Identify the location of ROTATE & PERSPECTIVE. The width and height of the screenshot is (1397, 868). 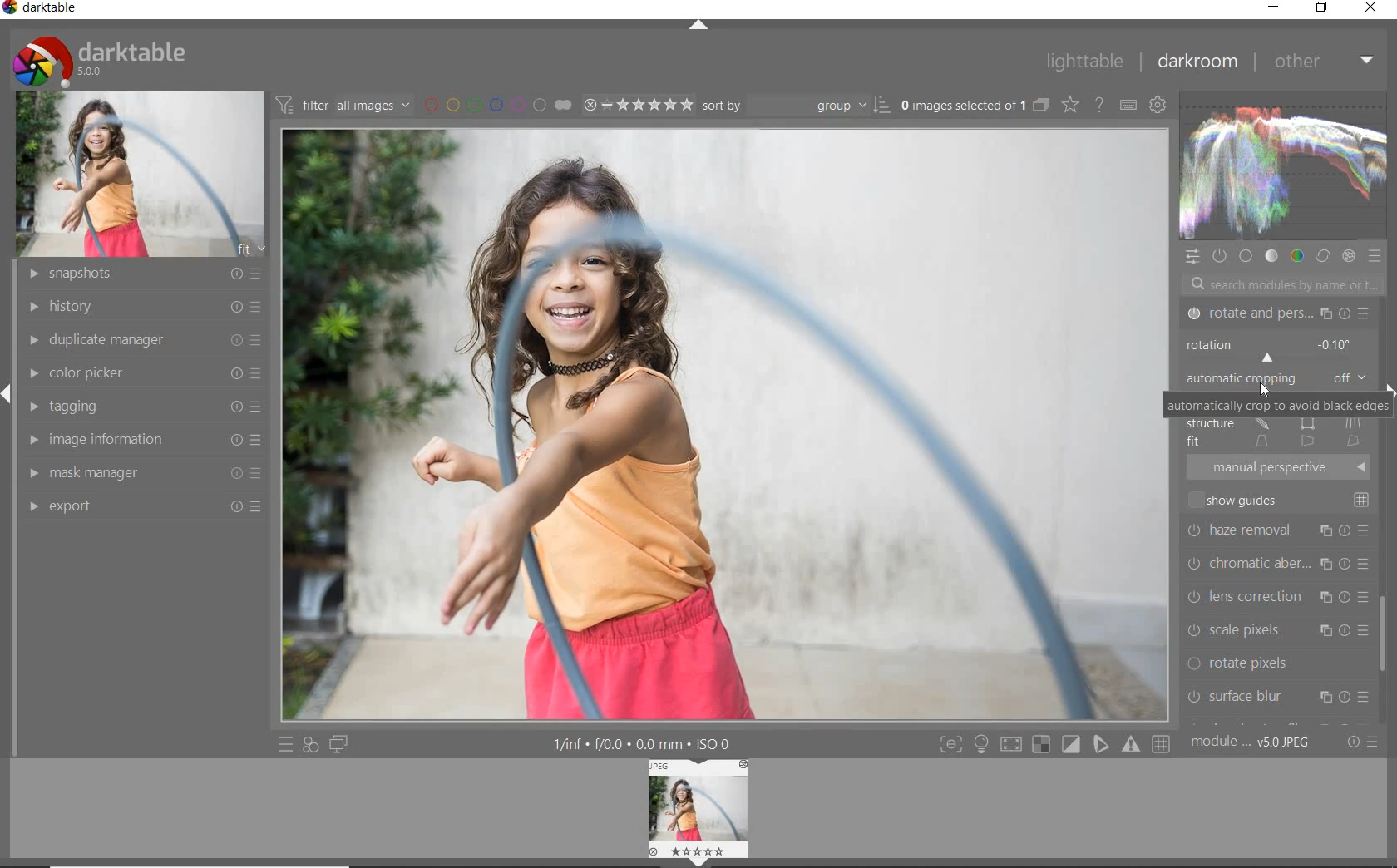
(1276, 314).